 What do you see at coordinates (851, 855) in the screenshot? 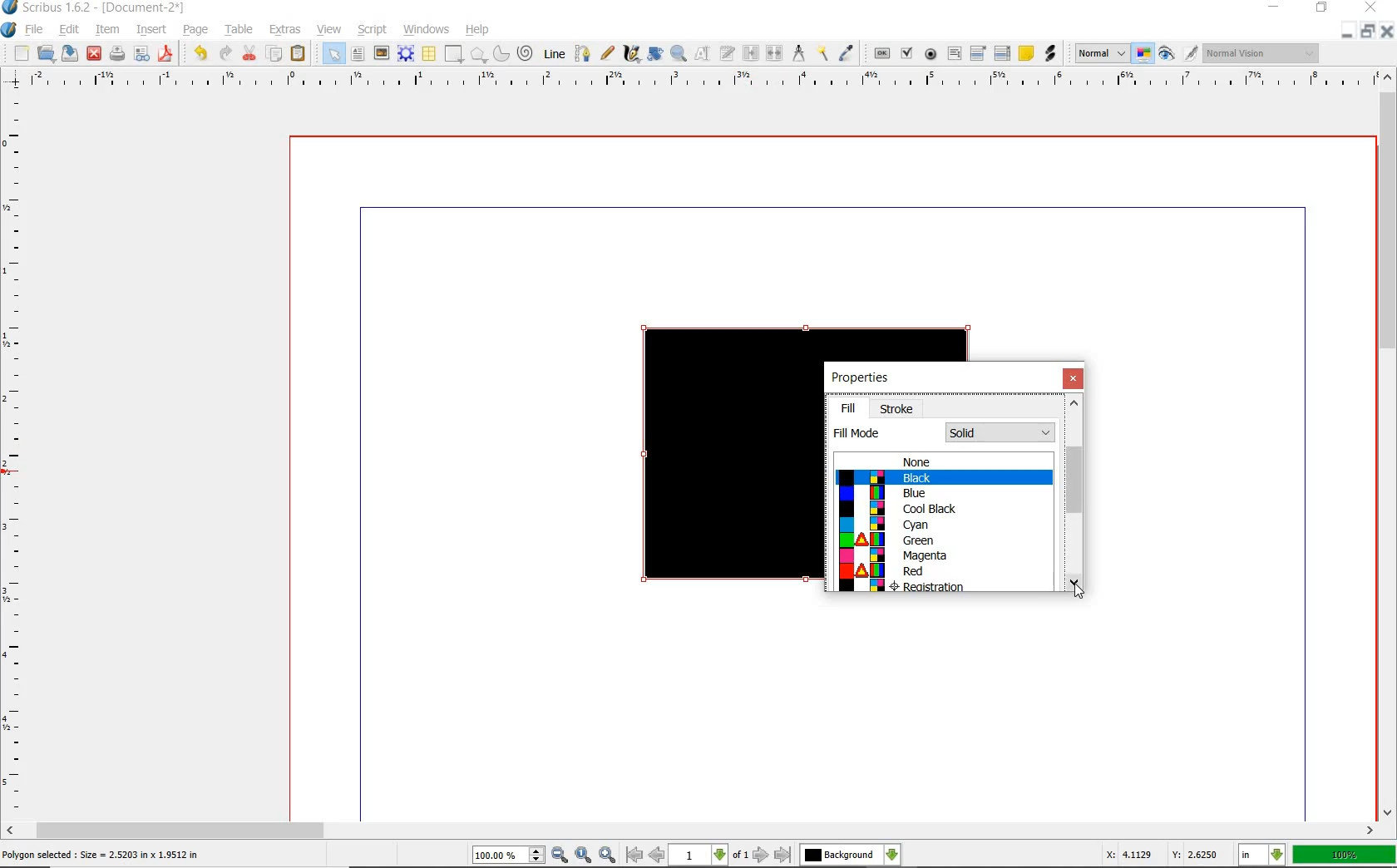
I see `select the current layer` at bounding box center [851, 855].